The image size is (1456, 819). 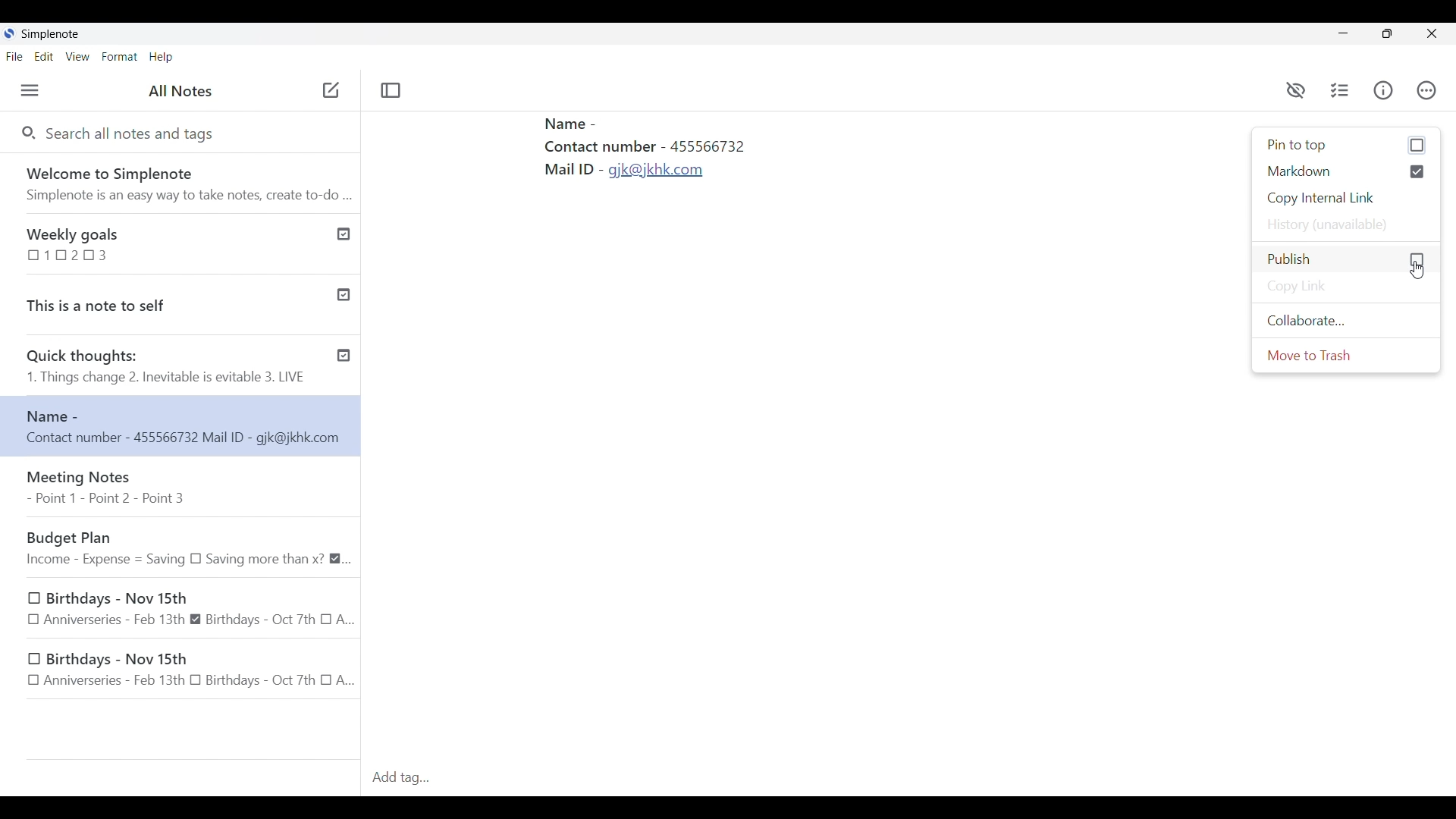 What do you see at coordinates (1345, 259) in the screenshot?
I see `Click to publish` at bounding box center [1345, 259].